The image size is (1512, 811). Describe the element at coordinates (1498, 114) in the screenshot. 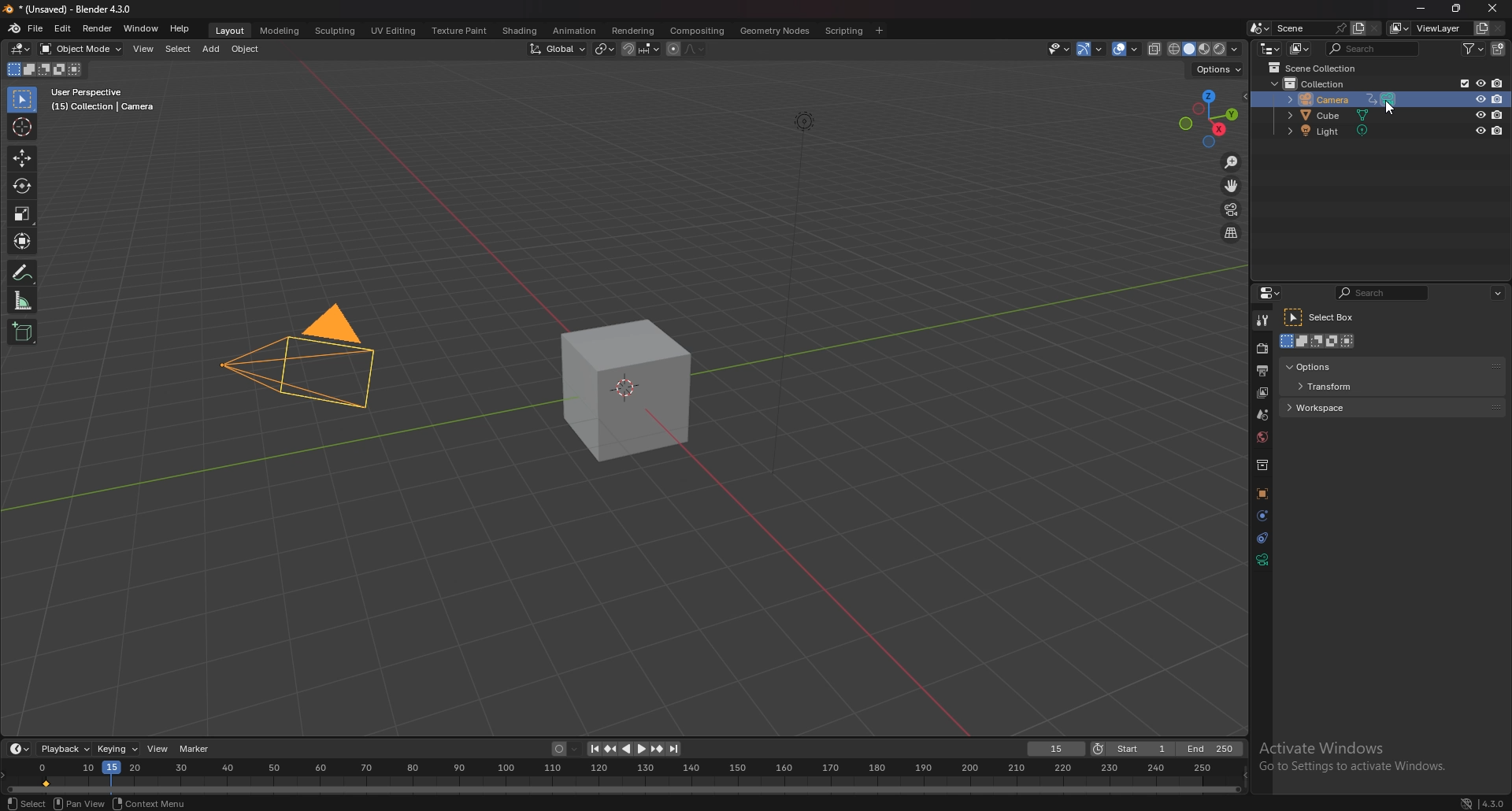

I see `disable in renders` at that location.